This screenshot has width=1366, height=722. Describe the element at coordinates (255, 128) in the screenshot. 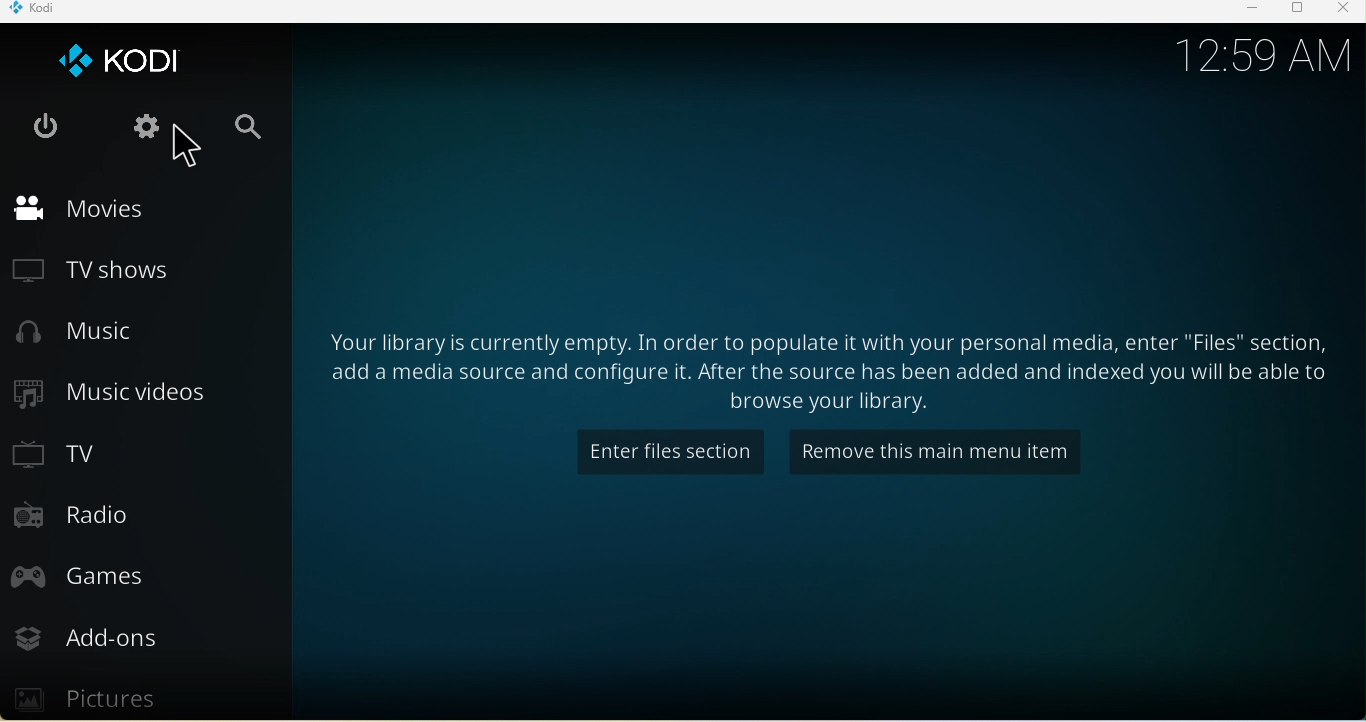

I see `Search` at that location.